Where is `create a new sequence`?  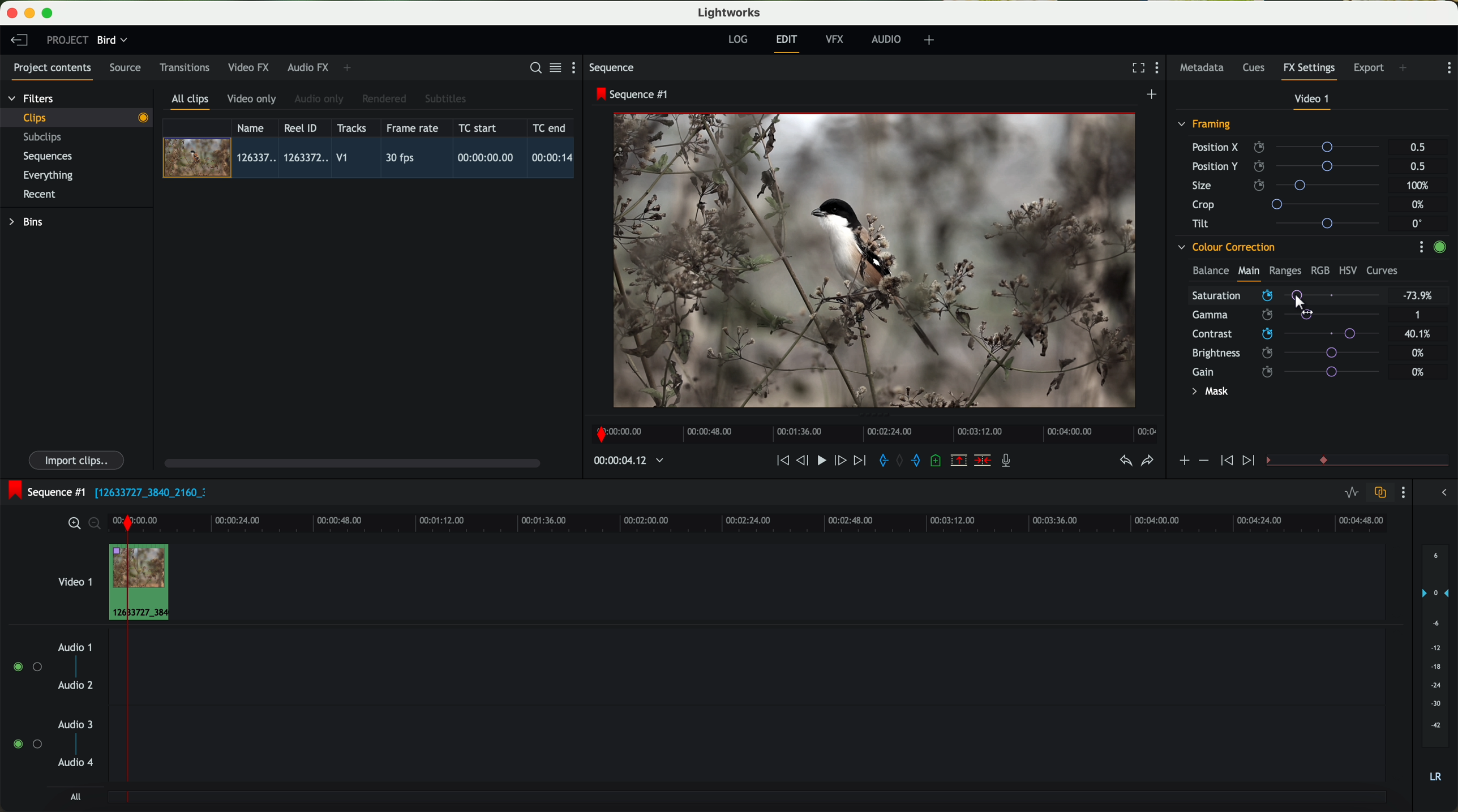
create a new sequence is located at coordinates (1153, 95).